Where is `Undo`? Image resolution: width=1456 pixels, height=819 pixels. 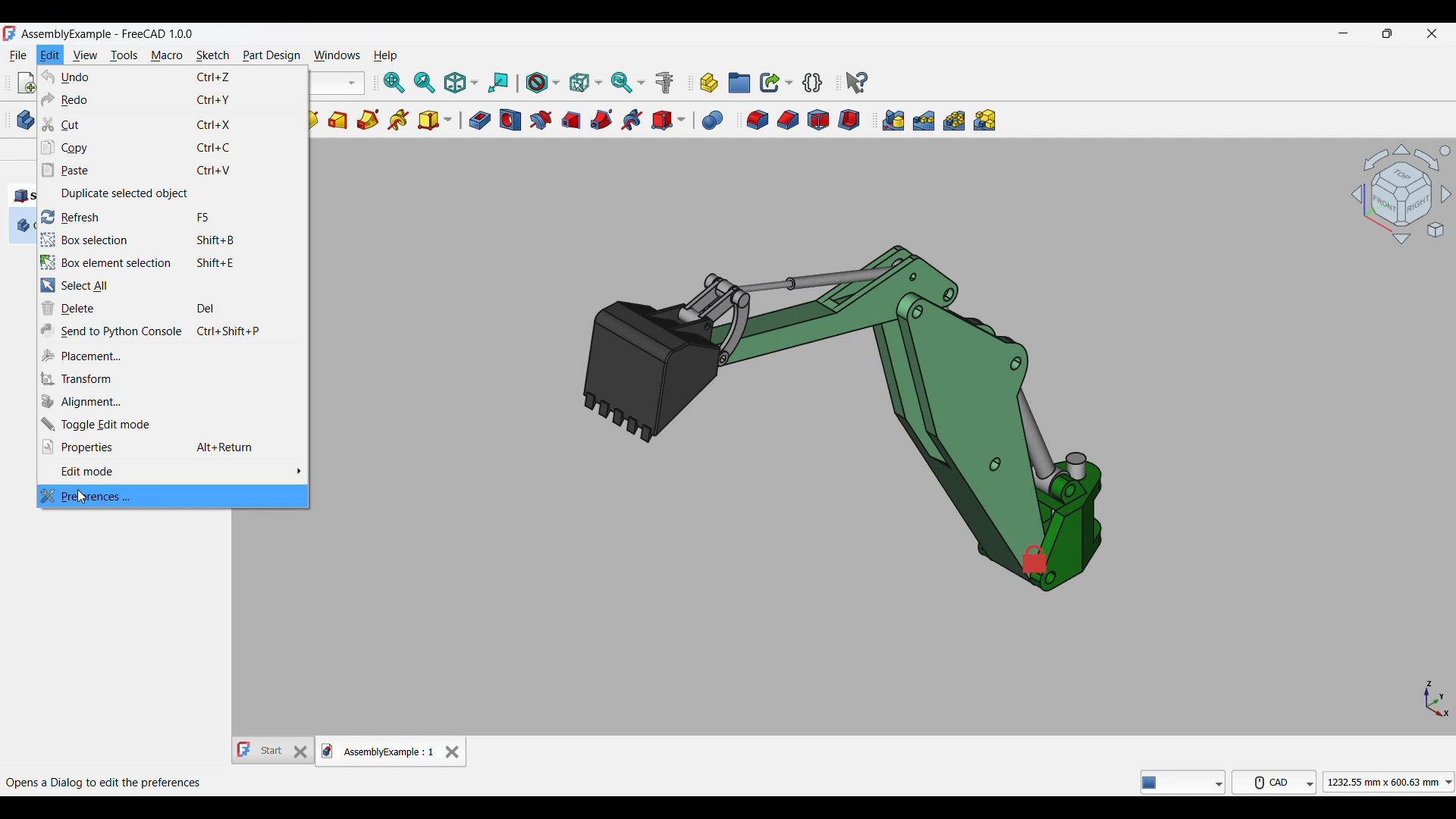 Undo is located at coordinates (173, 77).